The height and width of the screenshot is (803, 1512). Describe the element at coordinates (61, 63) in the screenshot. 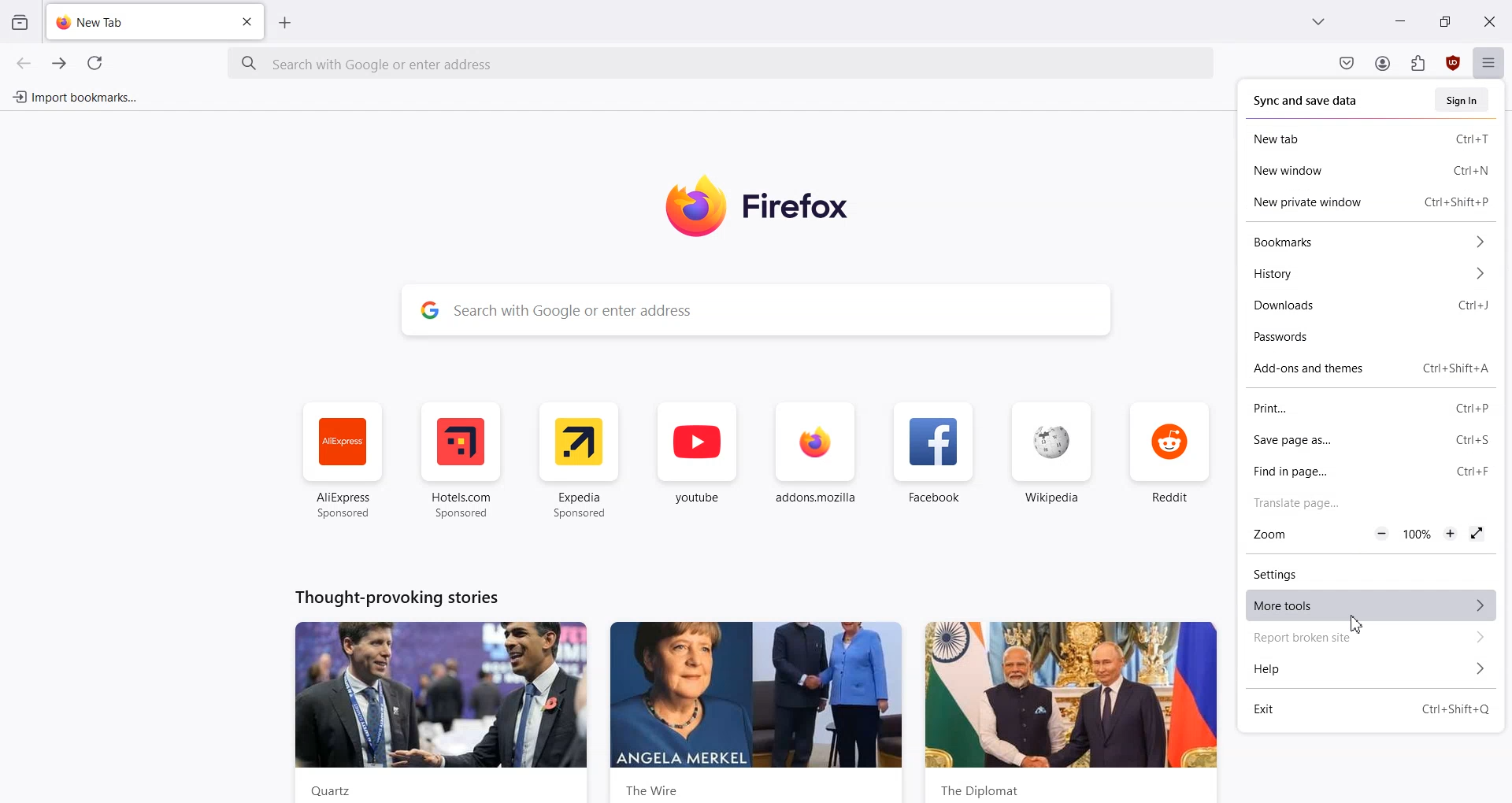

I see `Go Forward one page ` at that location.